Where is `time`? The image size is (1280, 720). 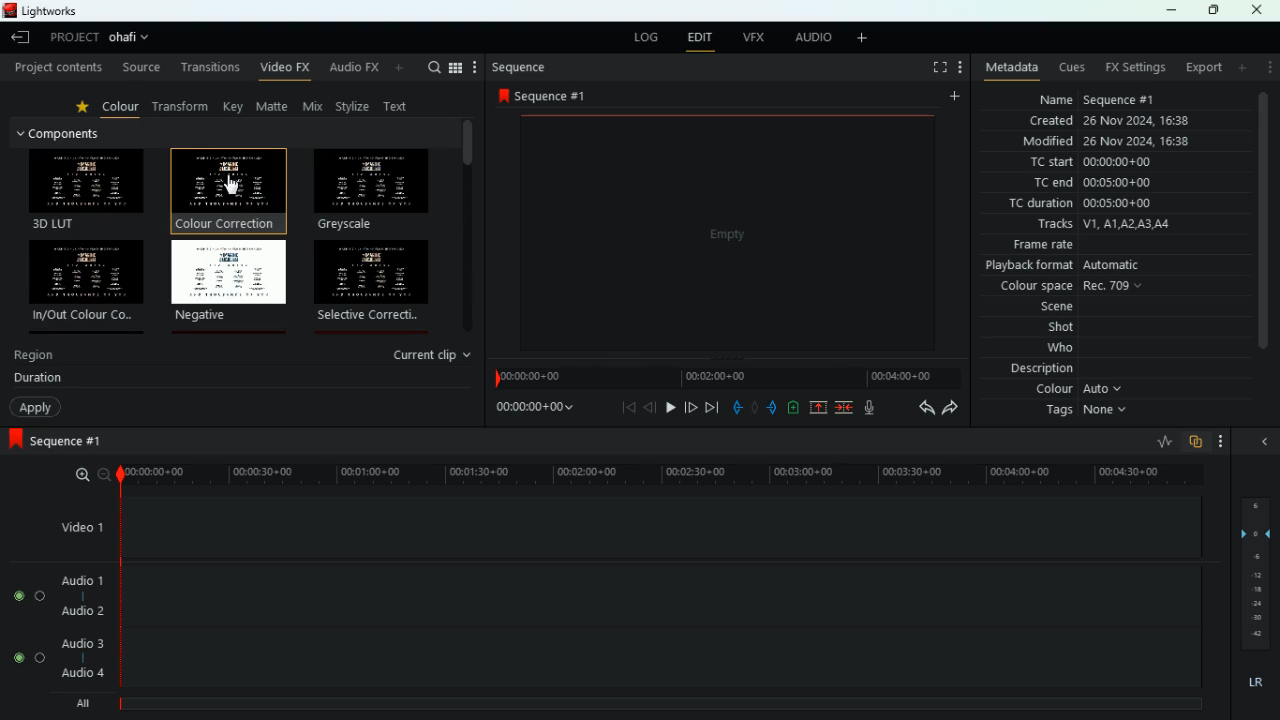 time is located at coordinates (531, 410).